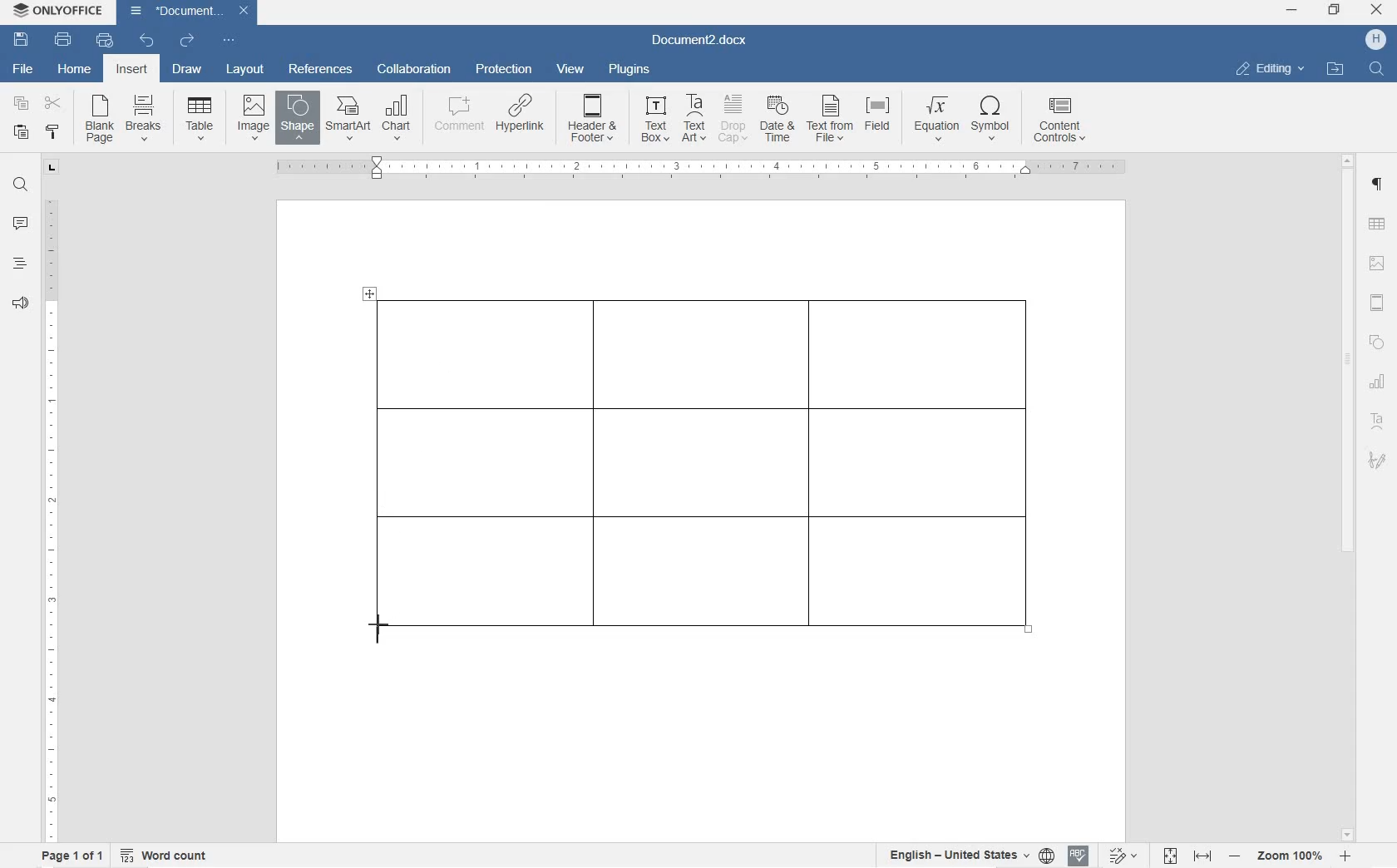 This screenshot has height=868, width=1397. What do you see at coordinates (381, 629) in the screenshot?
I see `line tool/cursor location` at bounding box center [381, 629].